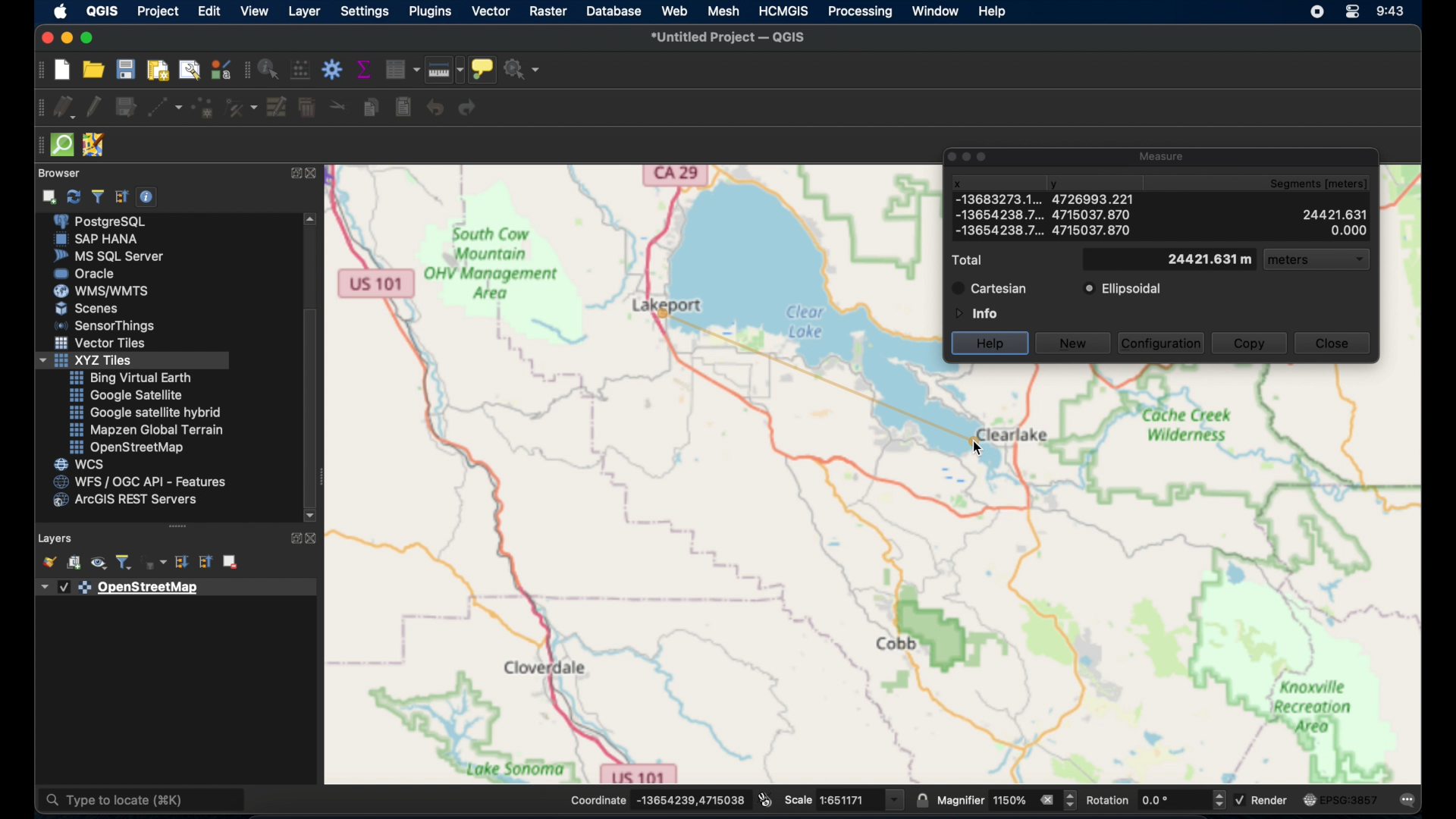 Image resolution: width=1456 pixels, height=819 pixels. Describe the element at coordinates (129, 502) in the screenshot. I see `arcGIS rest servers` at that location.